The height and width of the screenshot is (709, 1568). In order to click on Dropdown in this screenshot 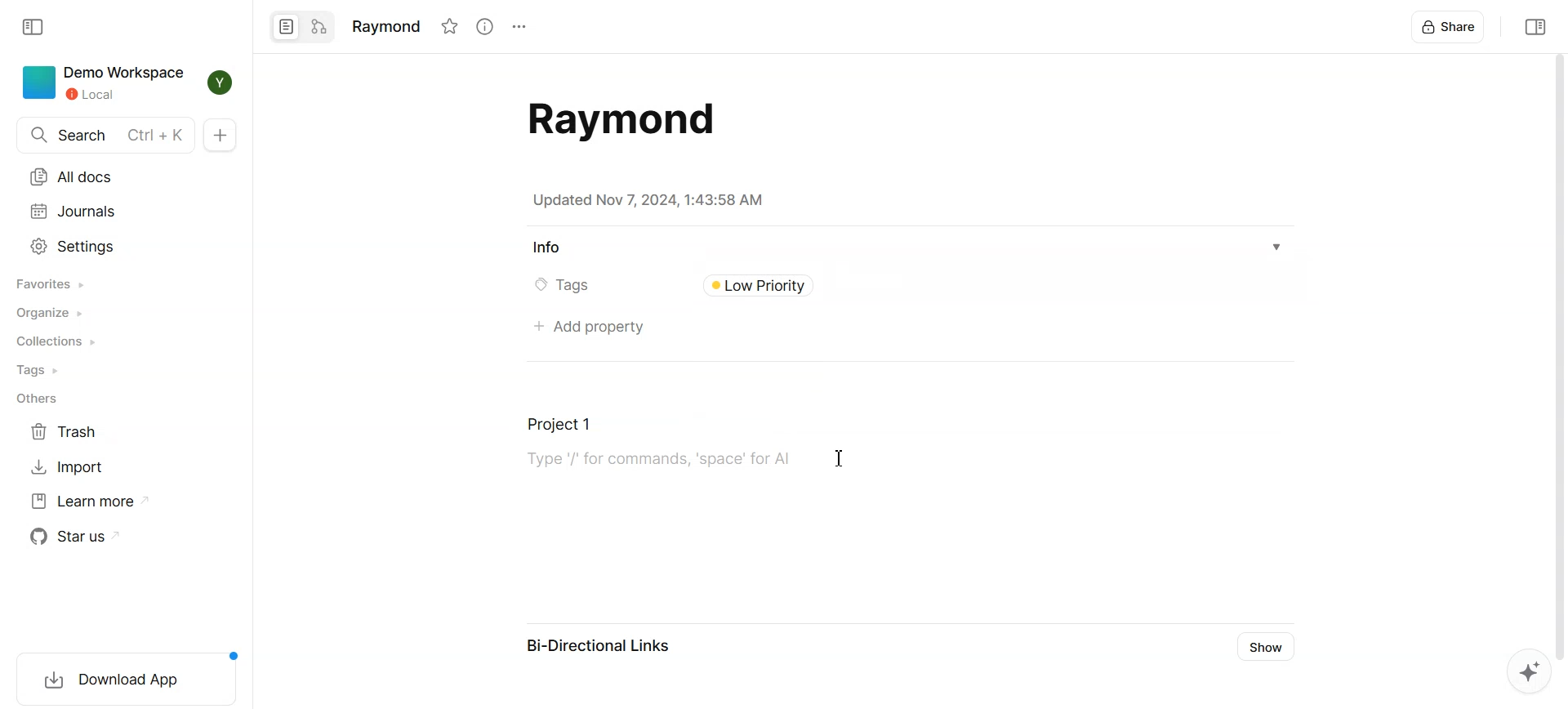, I will do `click(1277, 247)`.